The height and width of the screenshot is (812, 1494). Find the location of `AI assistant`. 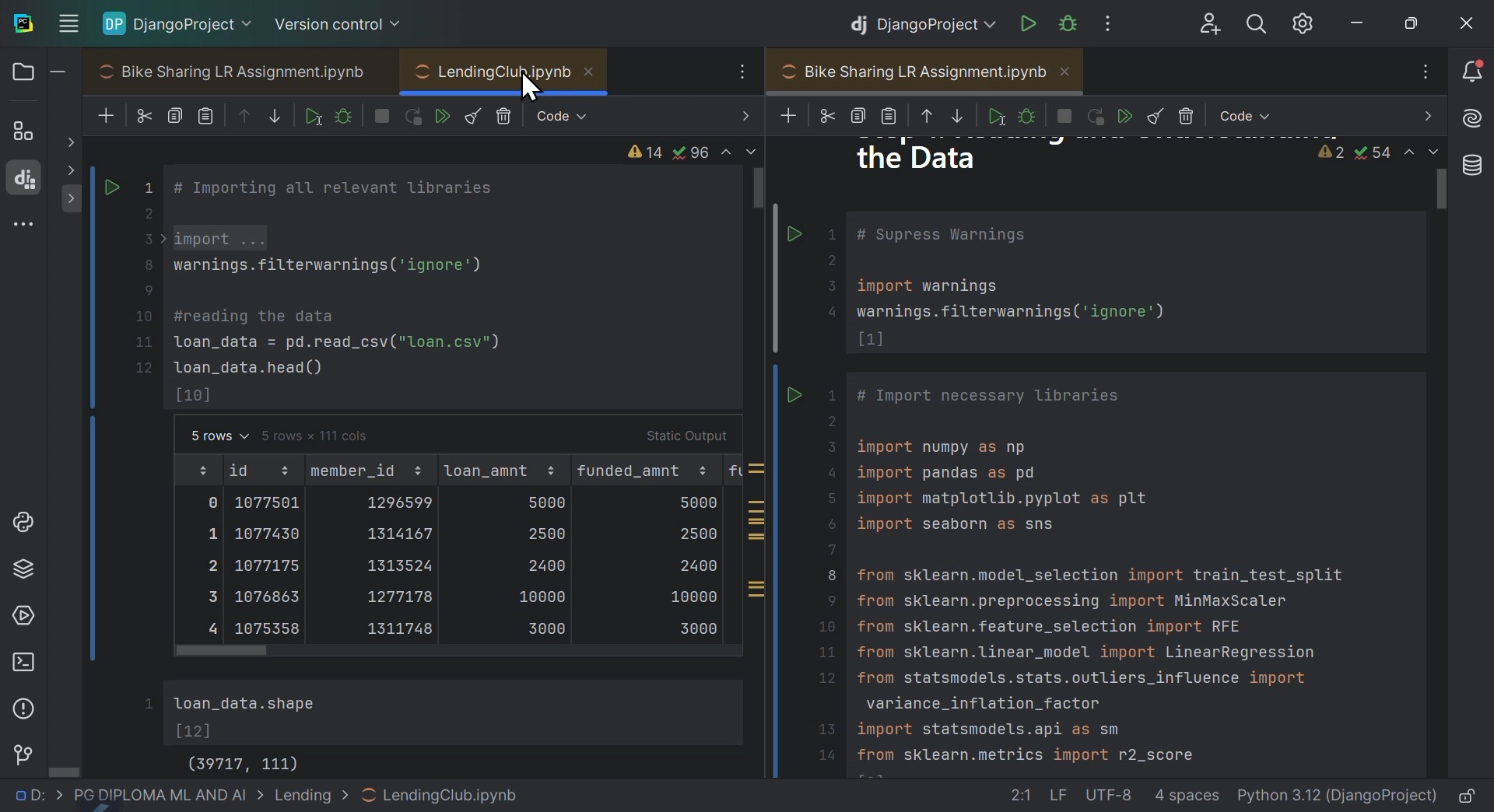

AI assistant is located at coordinates (1474, 120).